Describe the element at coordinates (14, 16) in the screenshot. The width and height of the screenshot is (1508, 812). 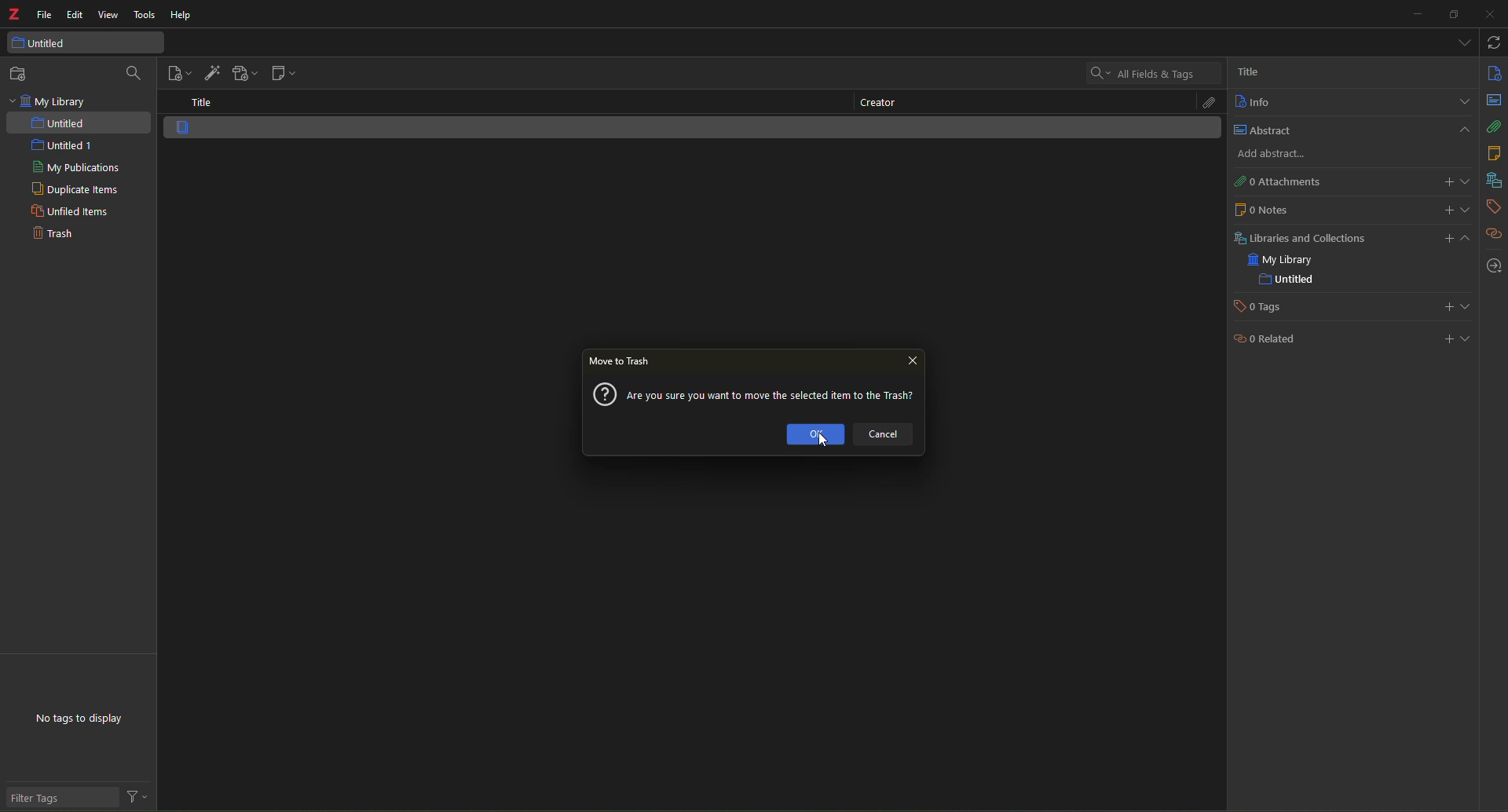
I see `z` at that location.